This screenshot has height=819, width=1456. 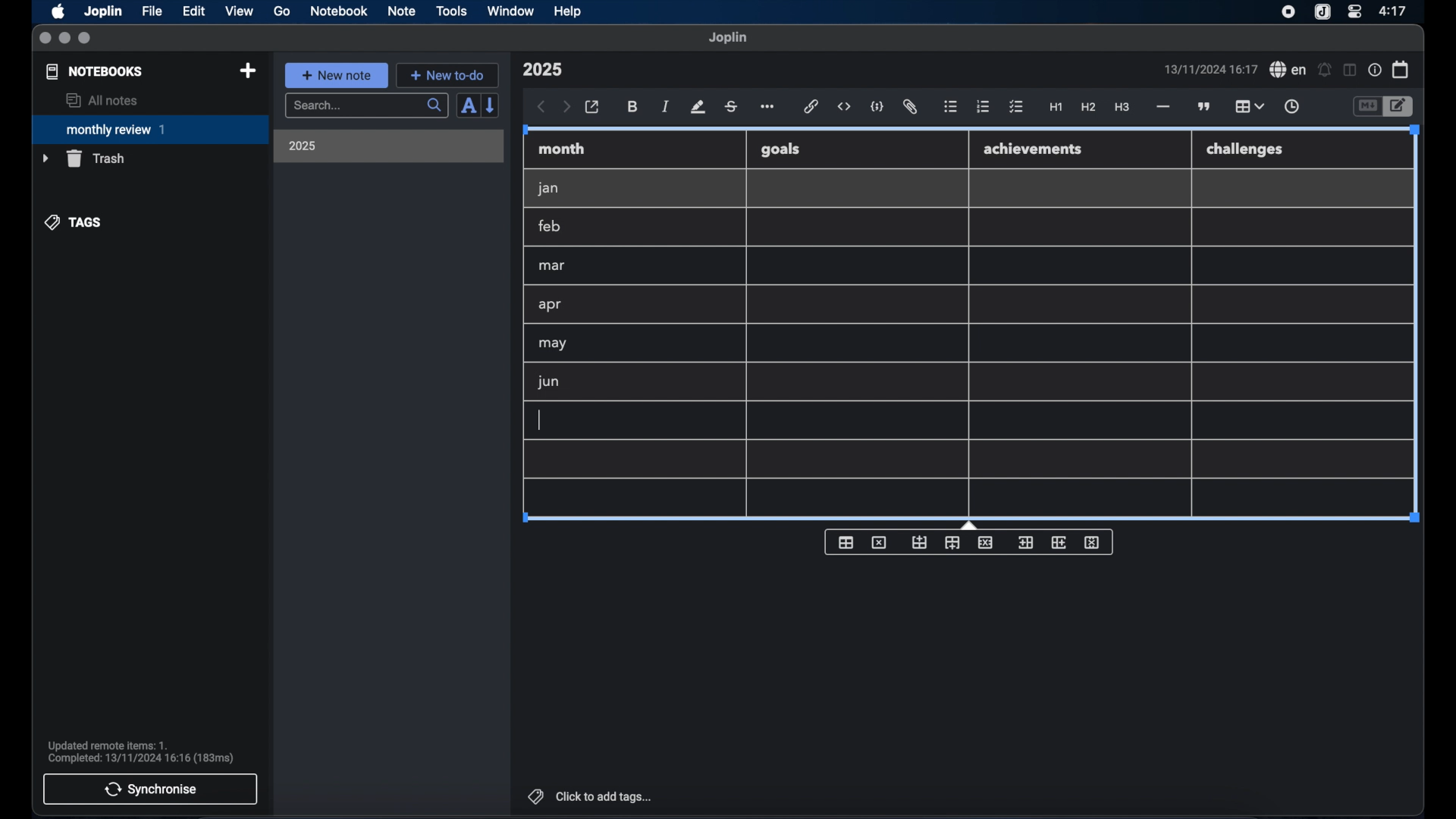 I want to click on horizontal rule, so click(x=1162, y=107).